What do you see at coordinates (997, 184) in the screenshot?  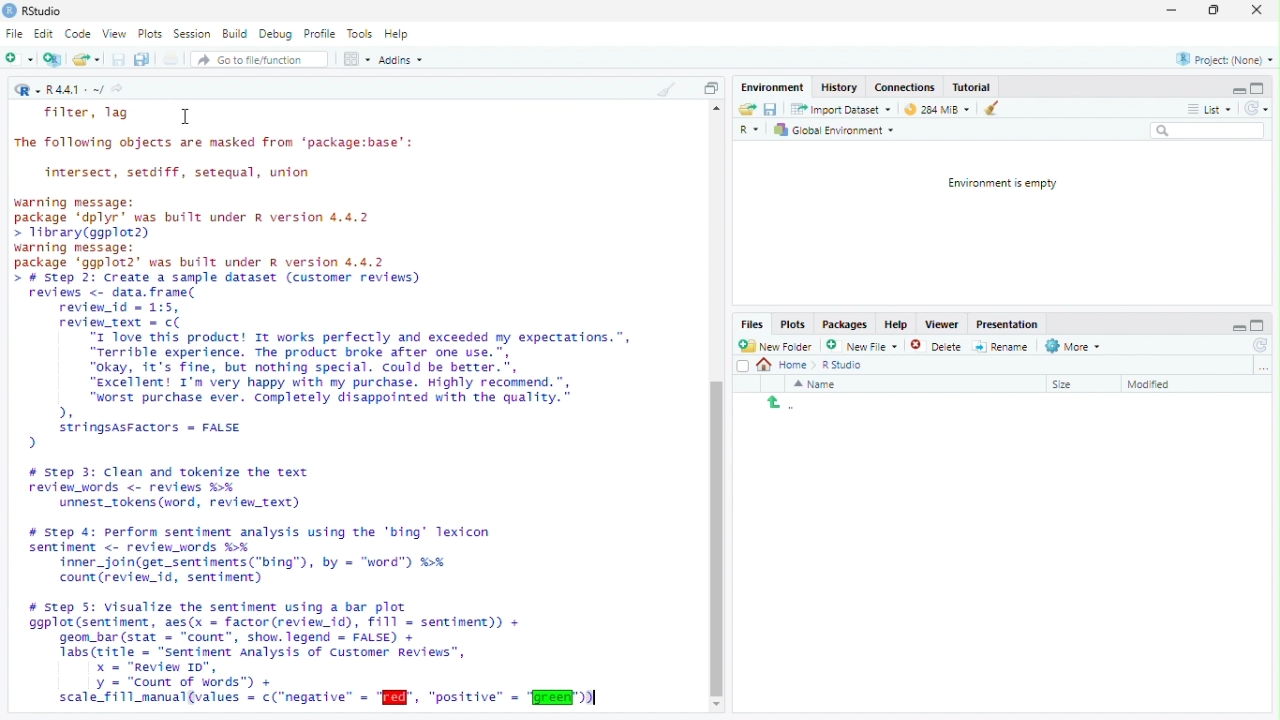 I see `Environment is empty` at bounding box center [997, 184].